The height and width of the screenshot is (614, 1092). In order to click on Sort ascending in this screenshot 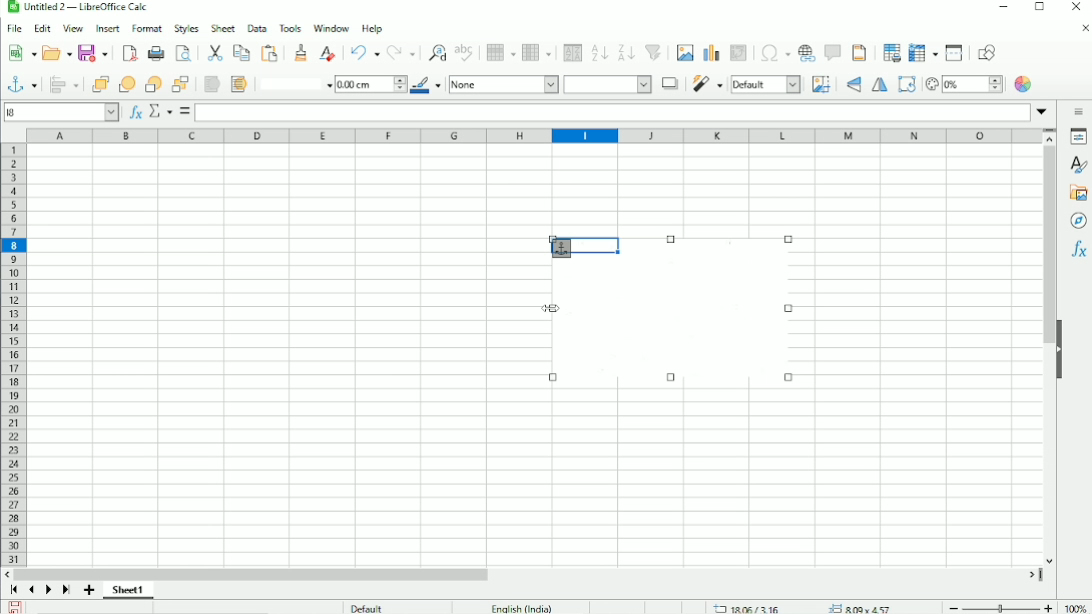, I will do `click(599, 52)`.